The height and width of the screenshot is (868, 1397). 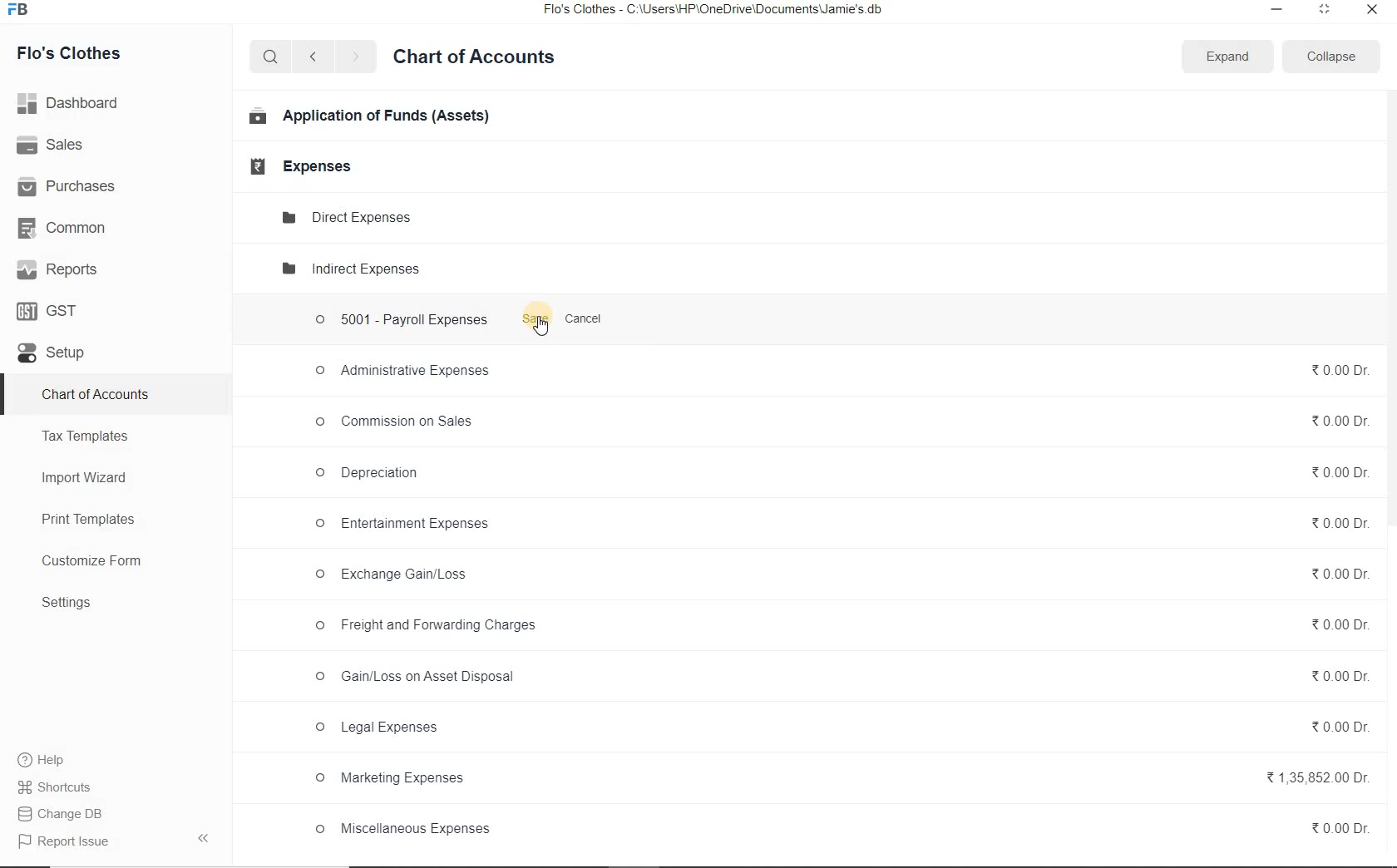 What do you see at coordinates (67, 602) in the screenshot?
I see `Settings` at bounding box center [67, 602].